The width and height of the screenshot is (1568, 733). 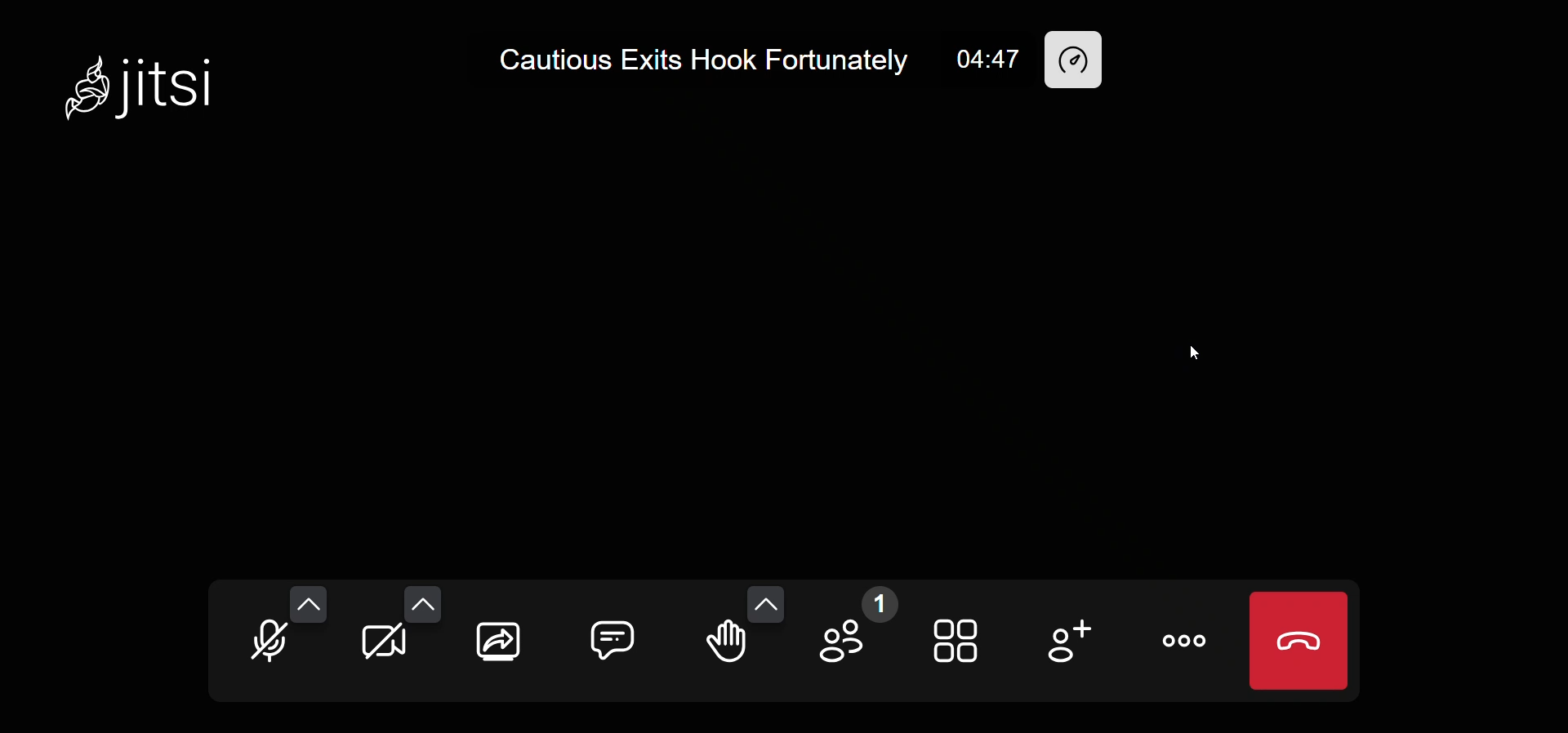 I want to click on 04:47, so click(x=989, y=59).